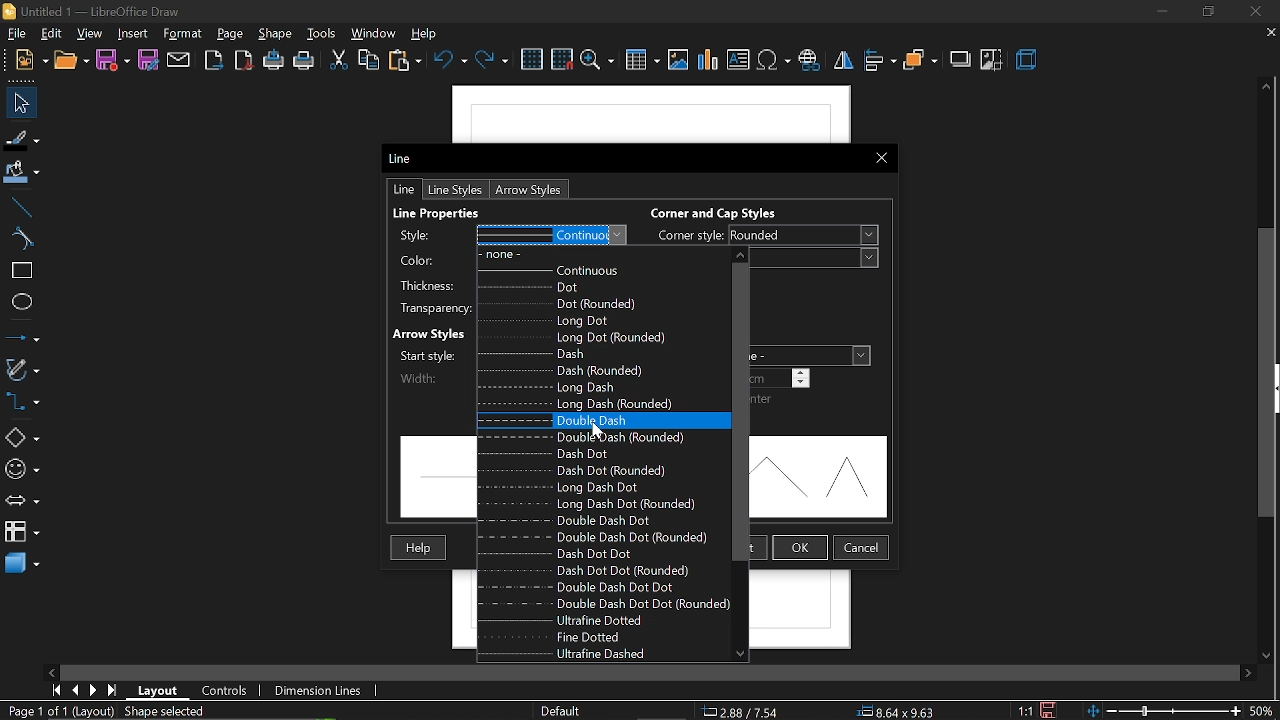 The image size is (1280, 720). Describe the element at coordinates (881, 60) in the screenshot. I see `align` at that location.